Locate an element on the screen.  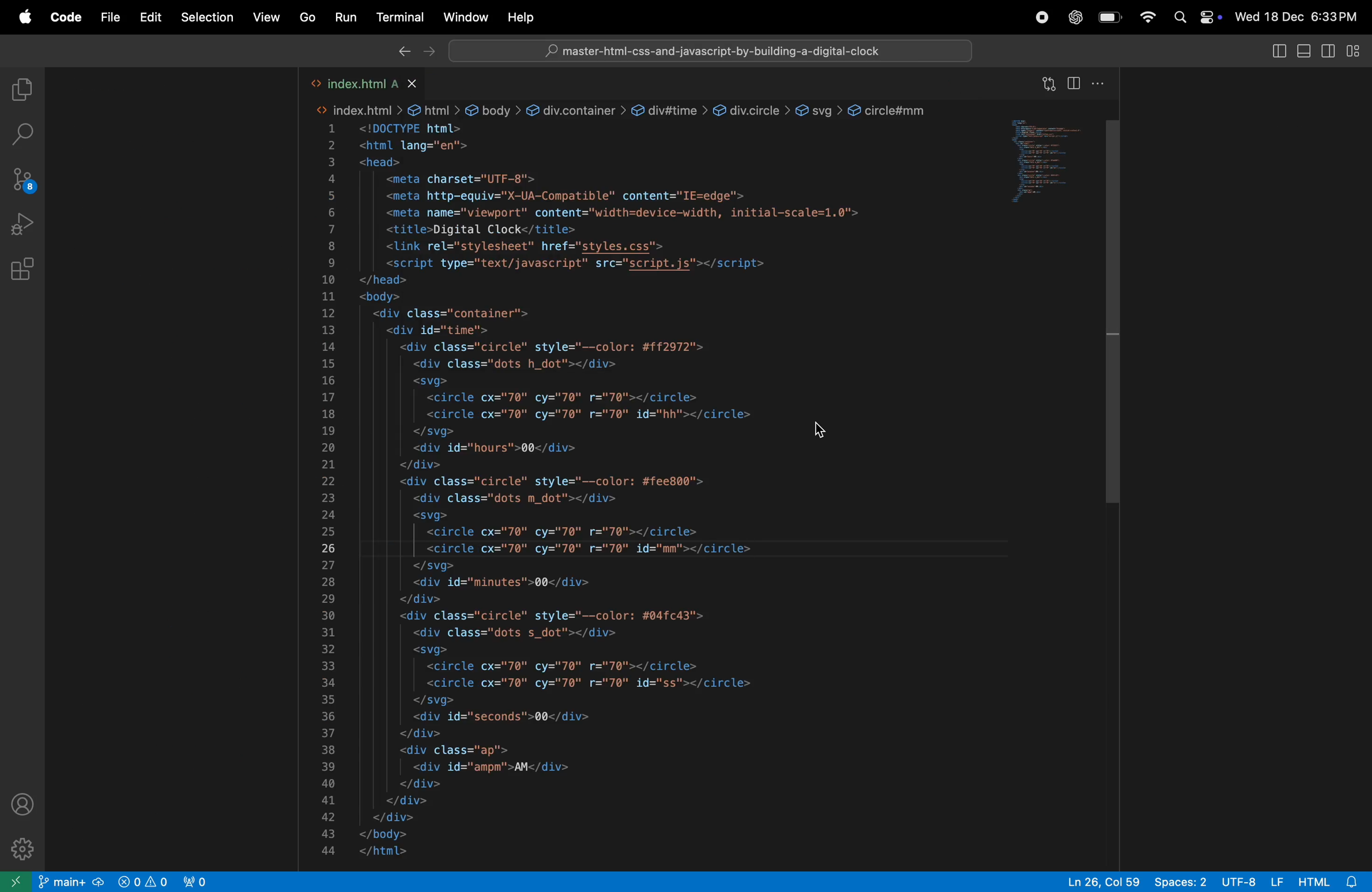
ln 26, col 59 is located at coordinates (1099, 880).